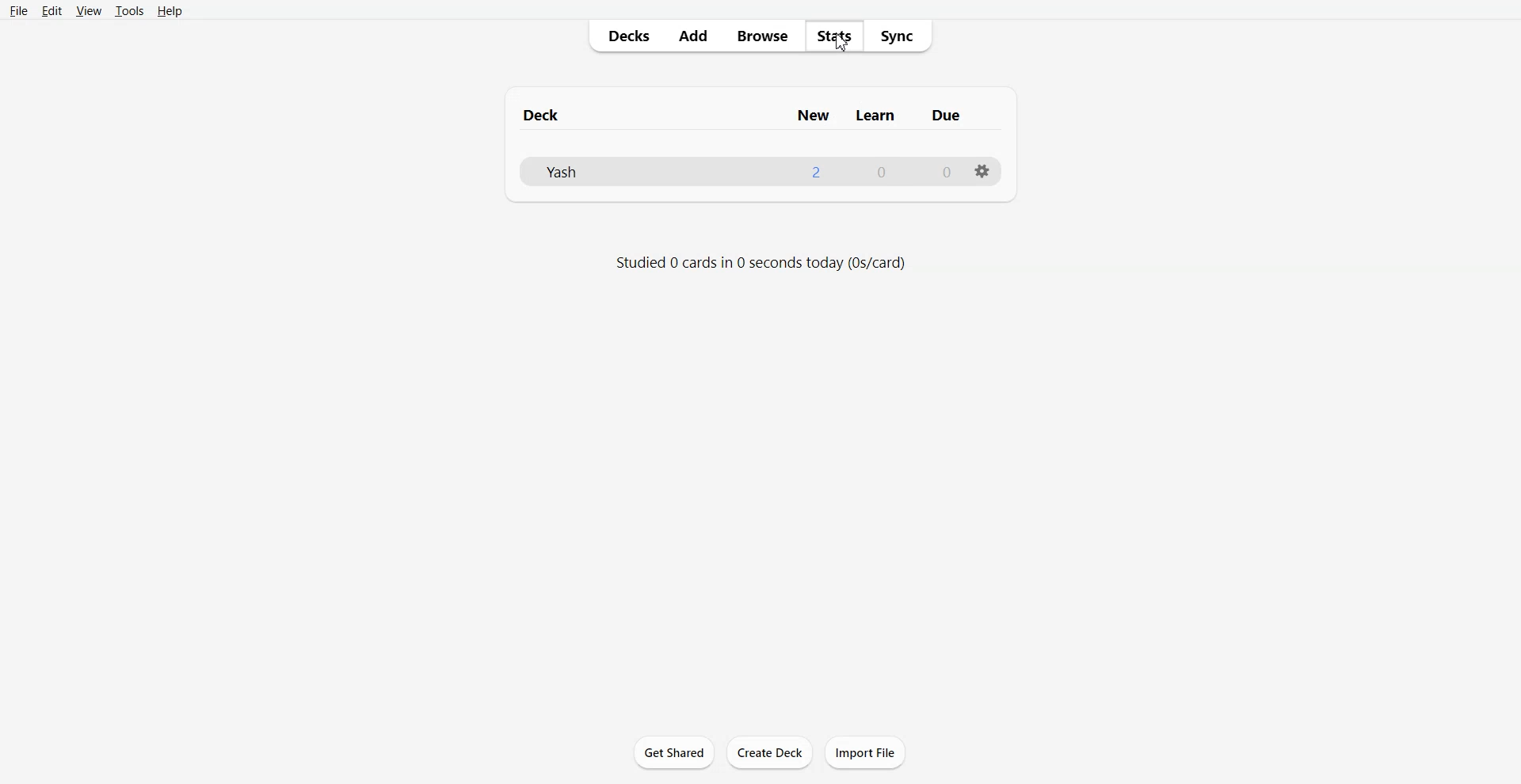 The width and height of the screenshot is (1521, 784). What do you see at coordinates (983, 173) in the screenshot?
I see `Settings` at bounding box center [983, 173].